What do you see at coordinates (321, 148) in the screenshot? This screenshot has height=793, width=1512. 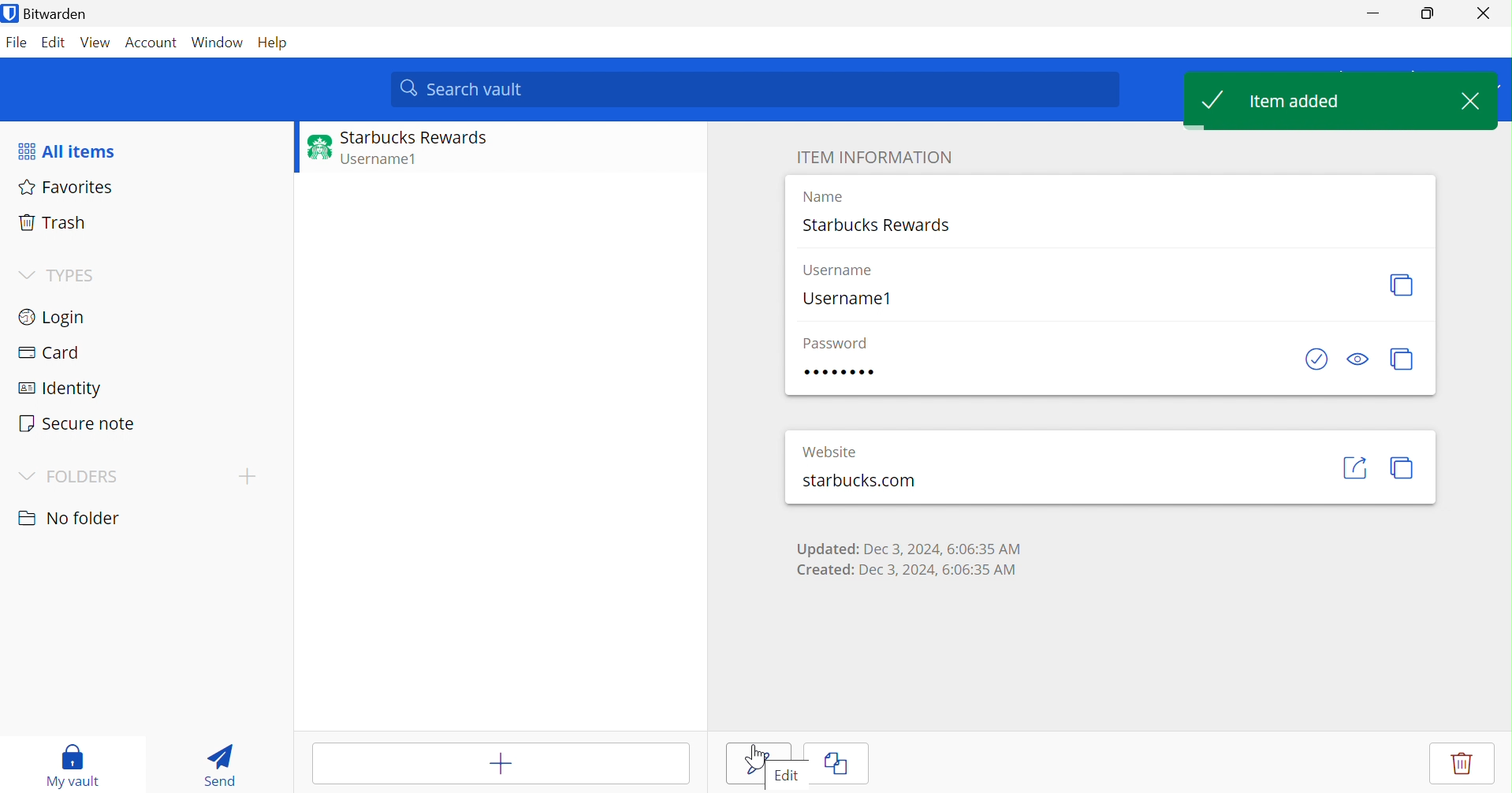 I see `Website logo` at bounding box center [321, 148].